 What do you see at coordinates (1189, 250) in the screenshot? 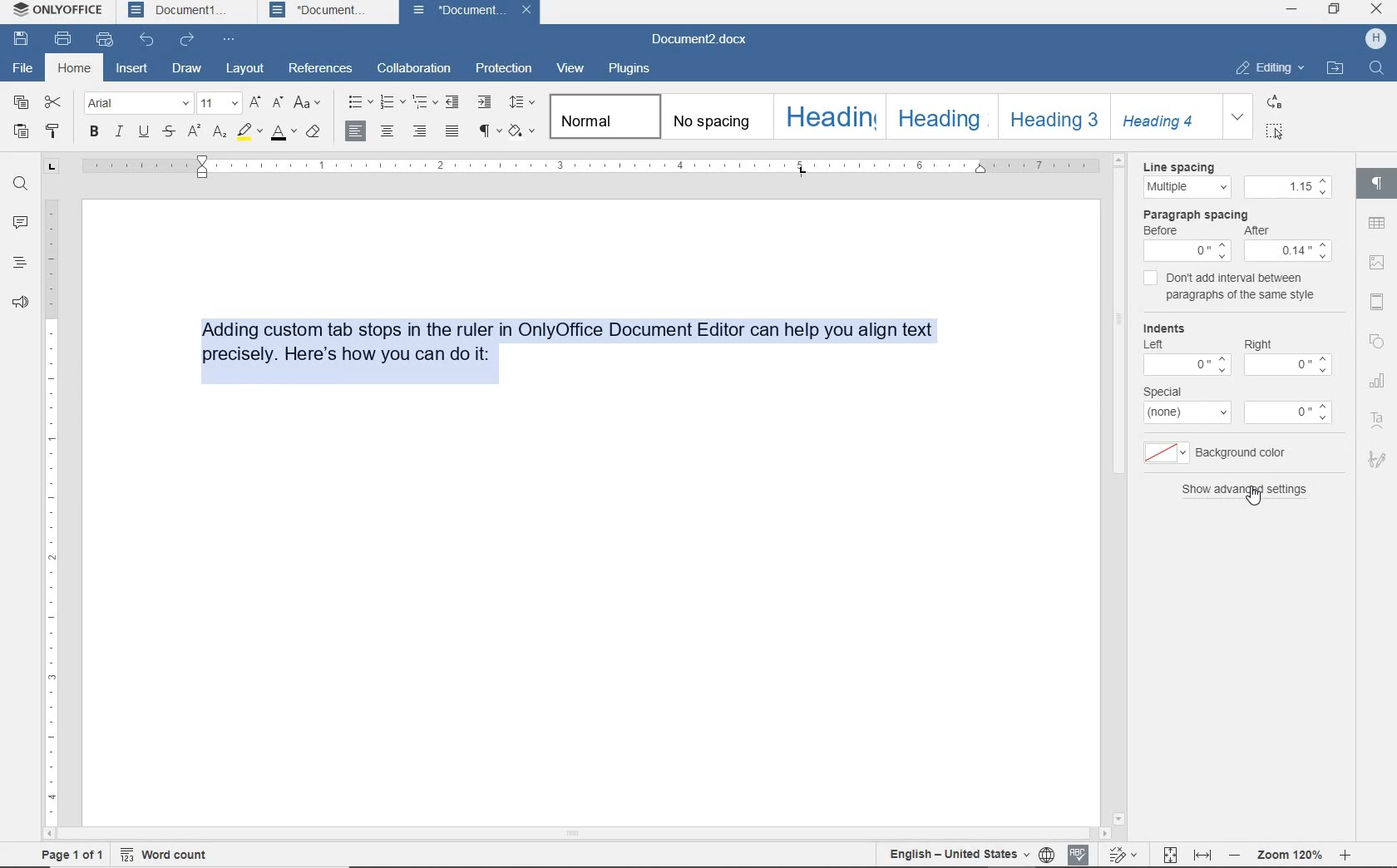
I see `` at bounding box center [1189, 250].